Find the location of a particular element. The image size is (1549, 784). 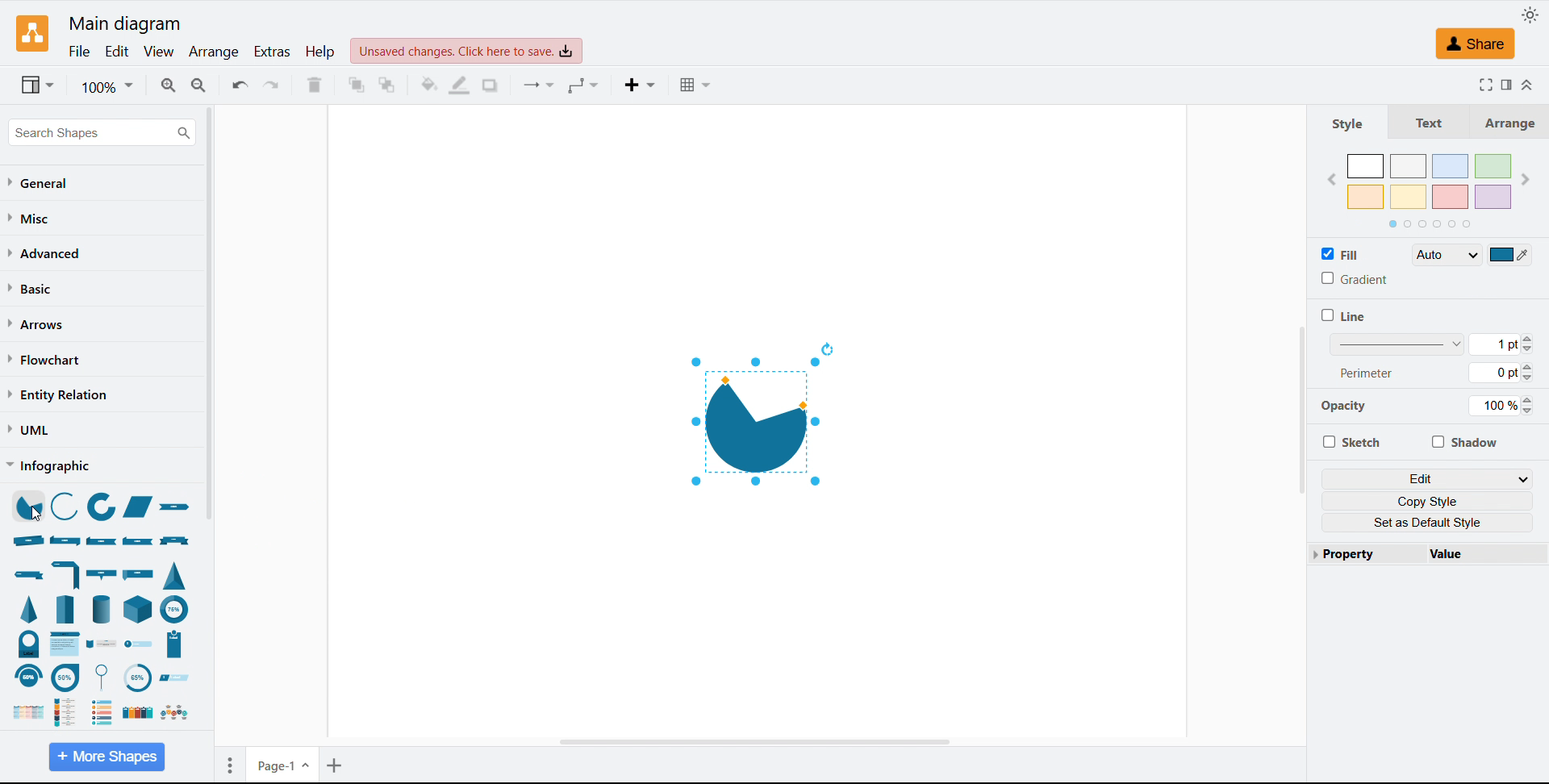

opacity is located at coordinates (1346, 408).